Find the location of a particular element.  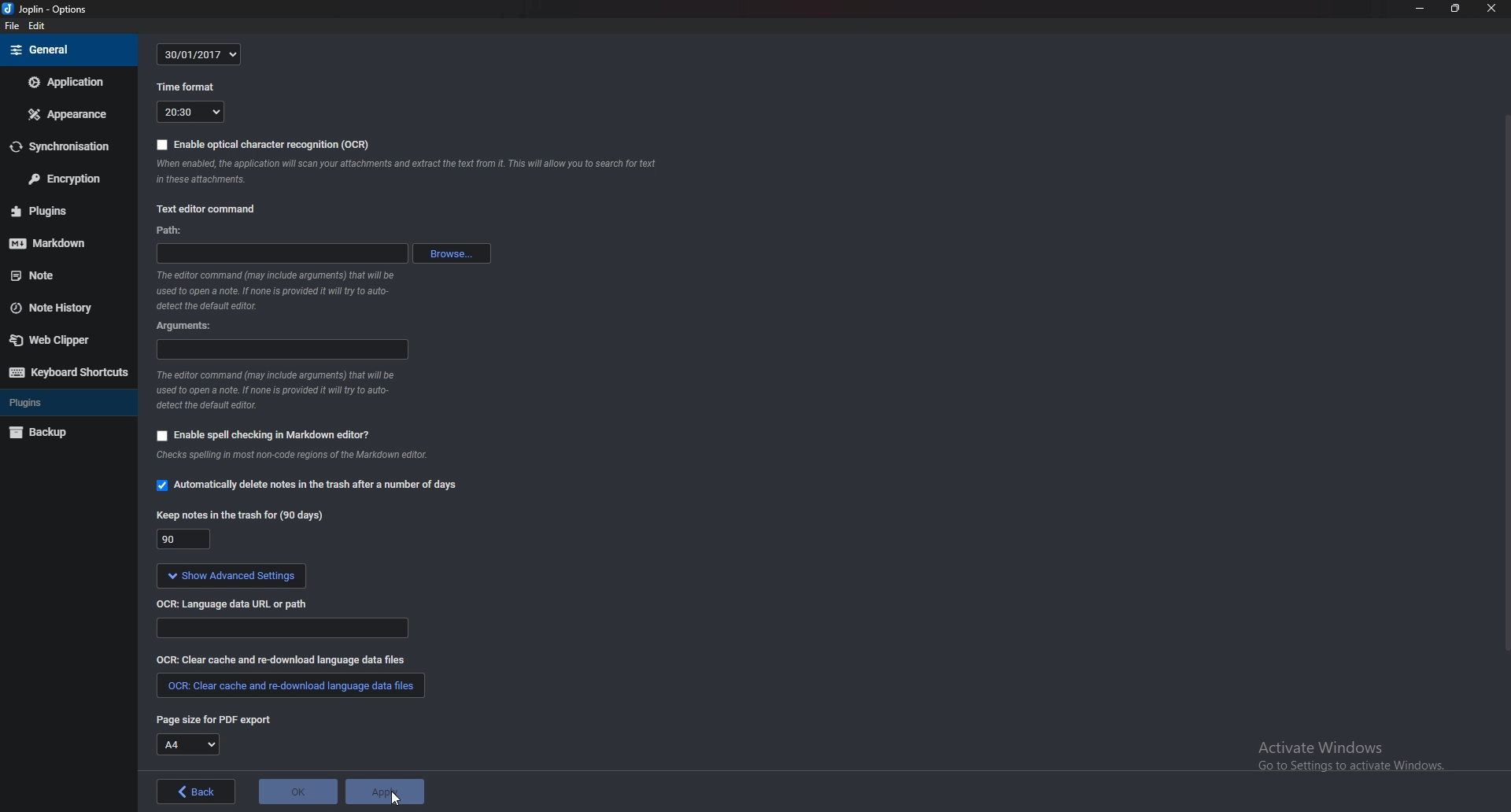

text editor command is located at coordinates (205, 206).